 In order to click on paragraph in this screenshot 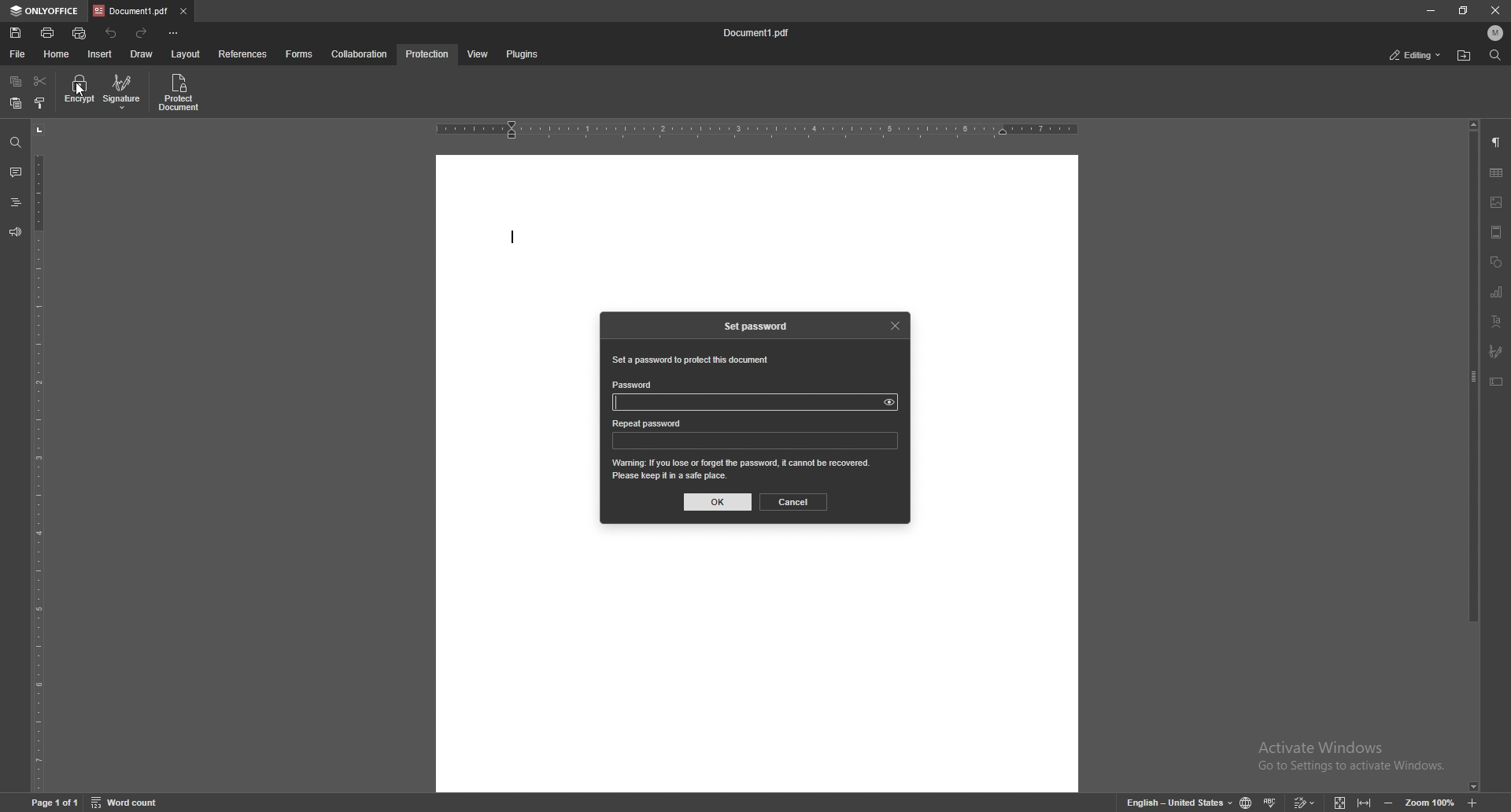, I will do `click(1495, 143)`.